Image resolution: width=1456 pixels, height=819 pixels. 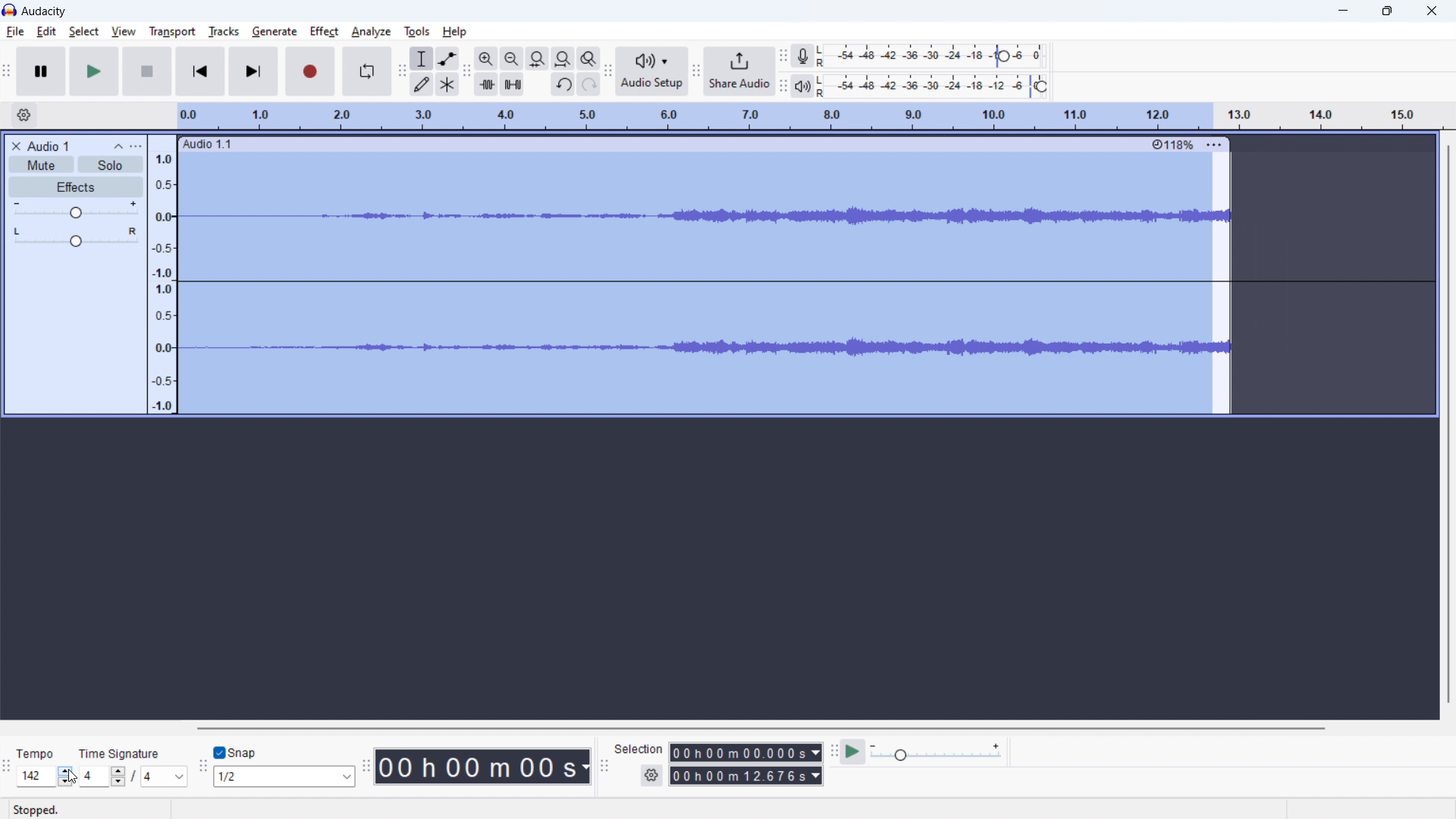 What do you see at coordinates (163, 275) in the screenshot?
I see `amplitude` at bounding box center [163, 275].